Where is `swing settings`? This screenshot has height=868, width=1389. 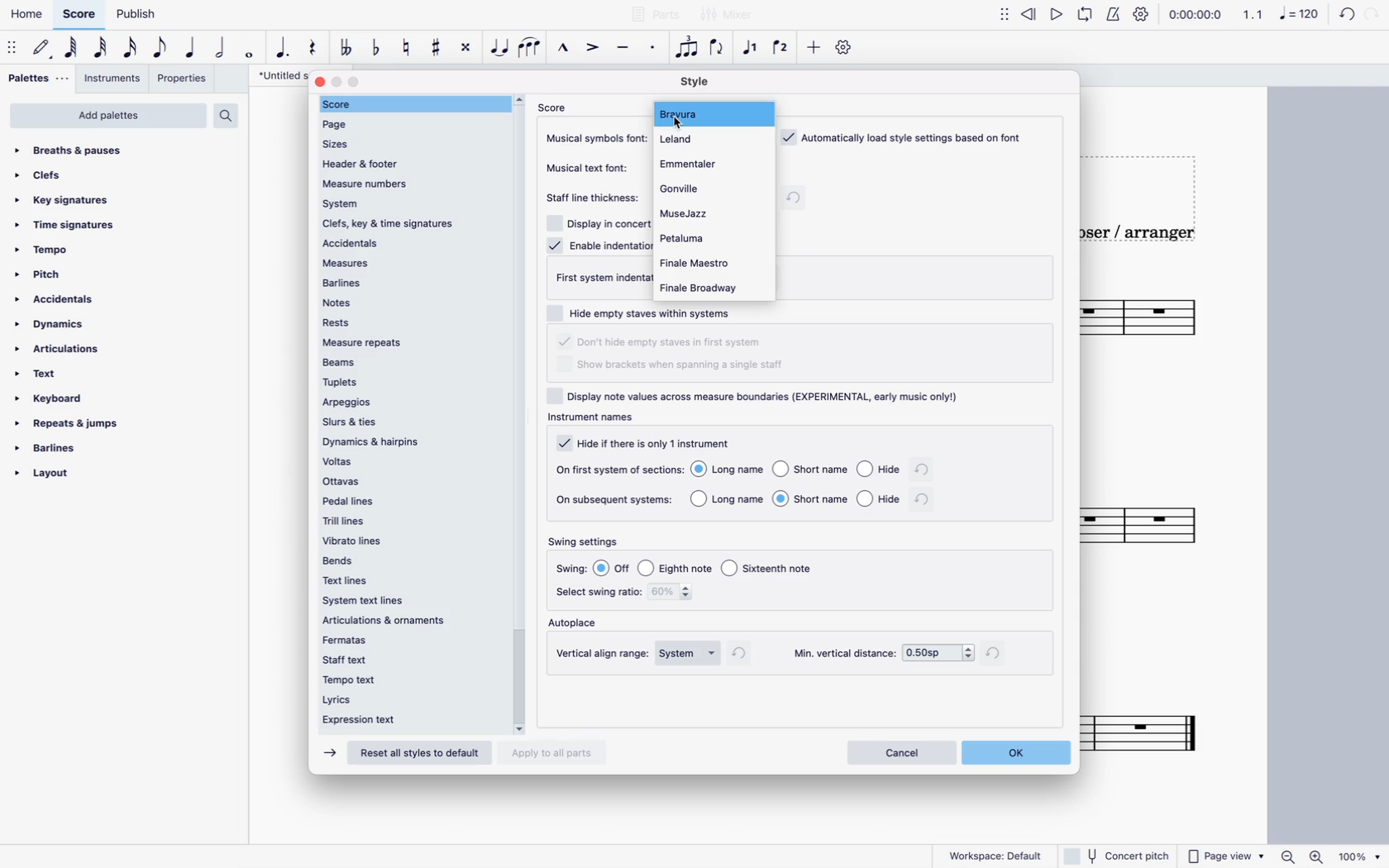
swing settings is located at coordinates (589, 542).